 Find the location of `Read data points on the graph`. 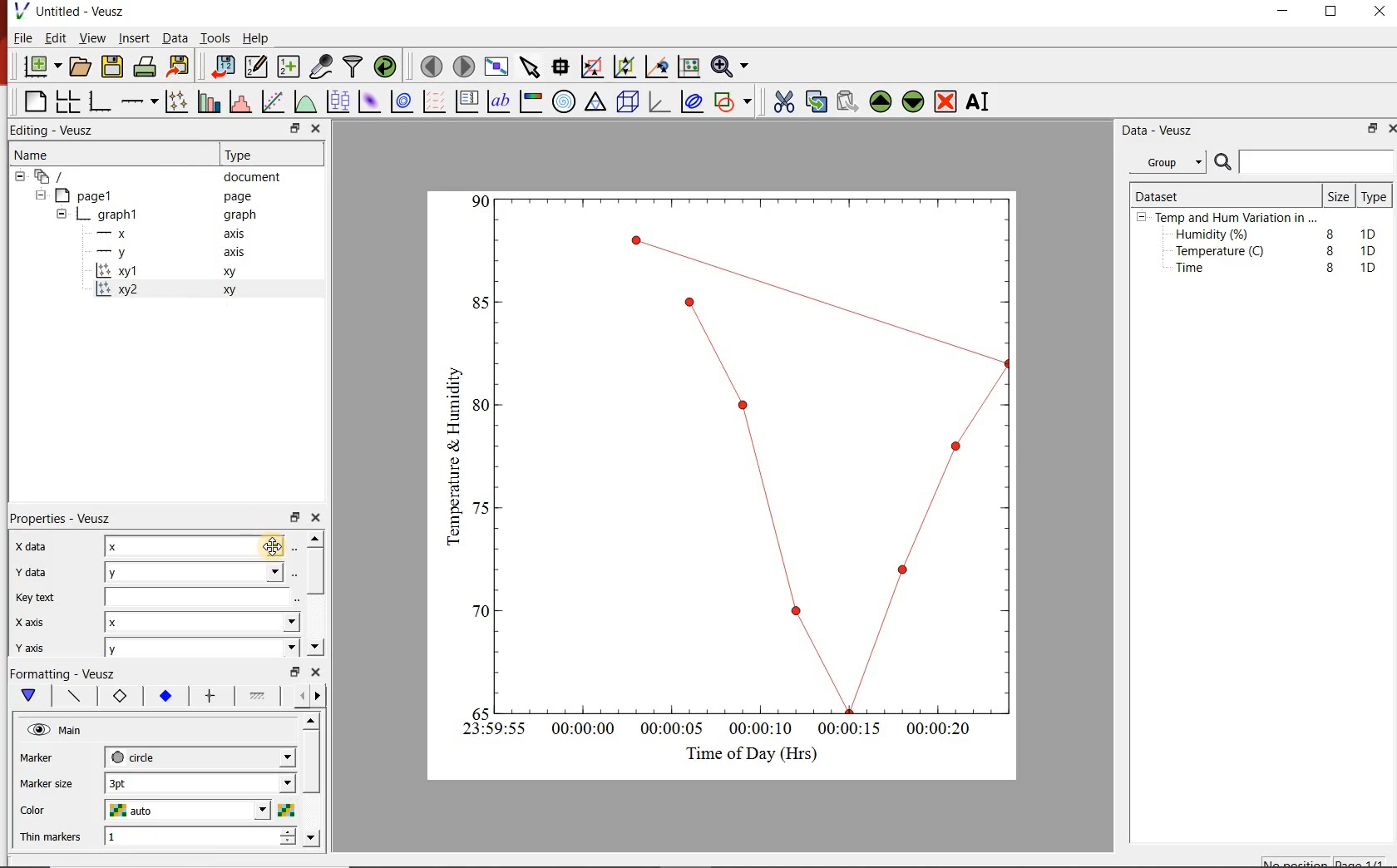

Read data points on the graph is located at coordinates (562, 67).